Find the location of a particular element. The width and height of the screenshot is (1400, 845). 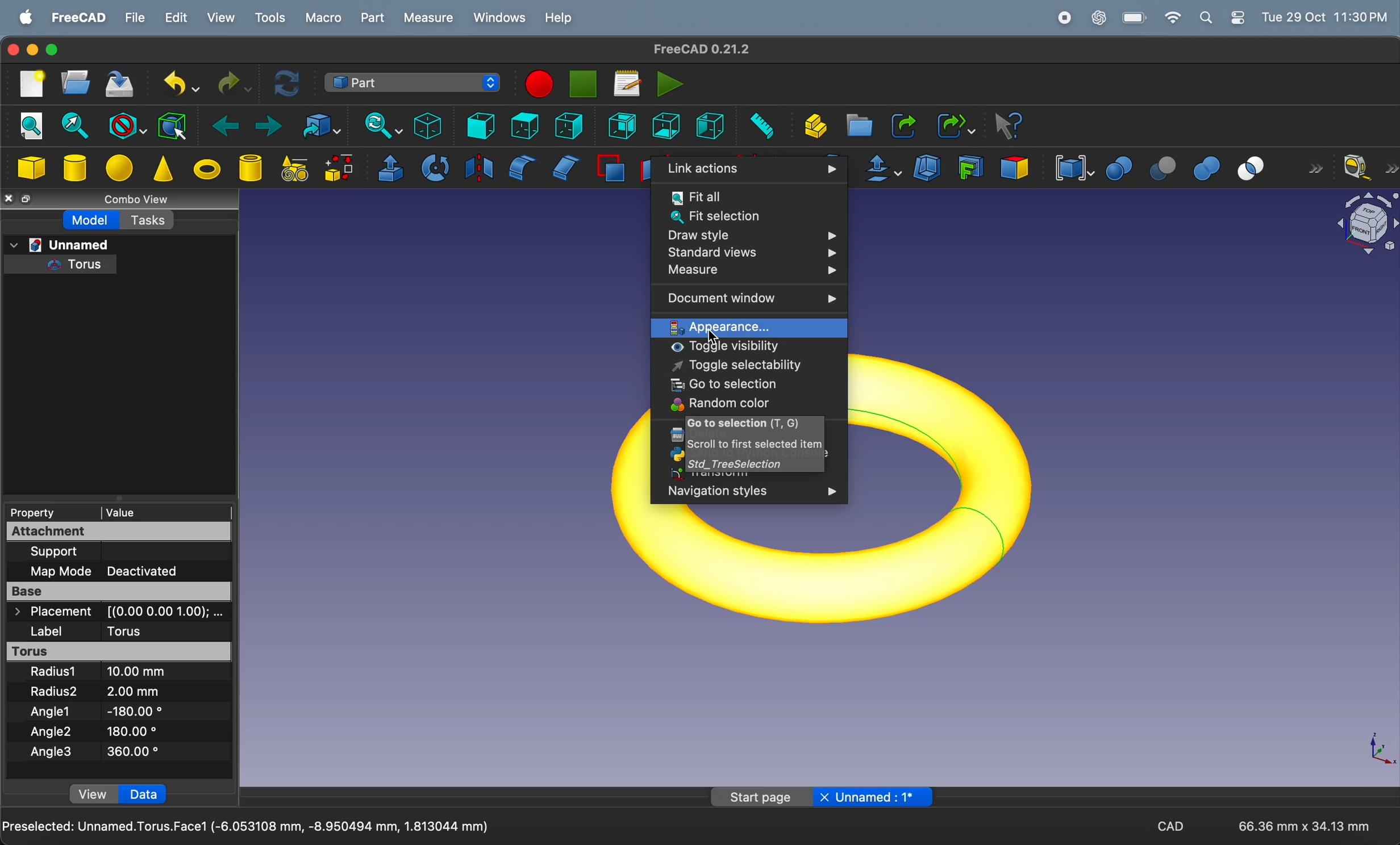

support is located at coordinates (64, 553).